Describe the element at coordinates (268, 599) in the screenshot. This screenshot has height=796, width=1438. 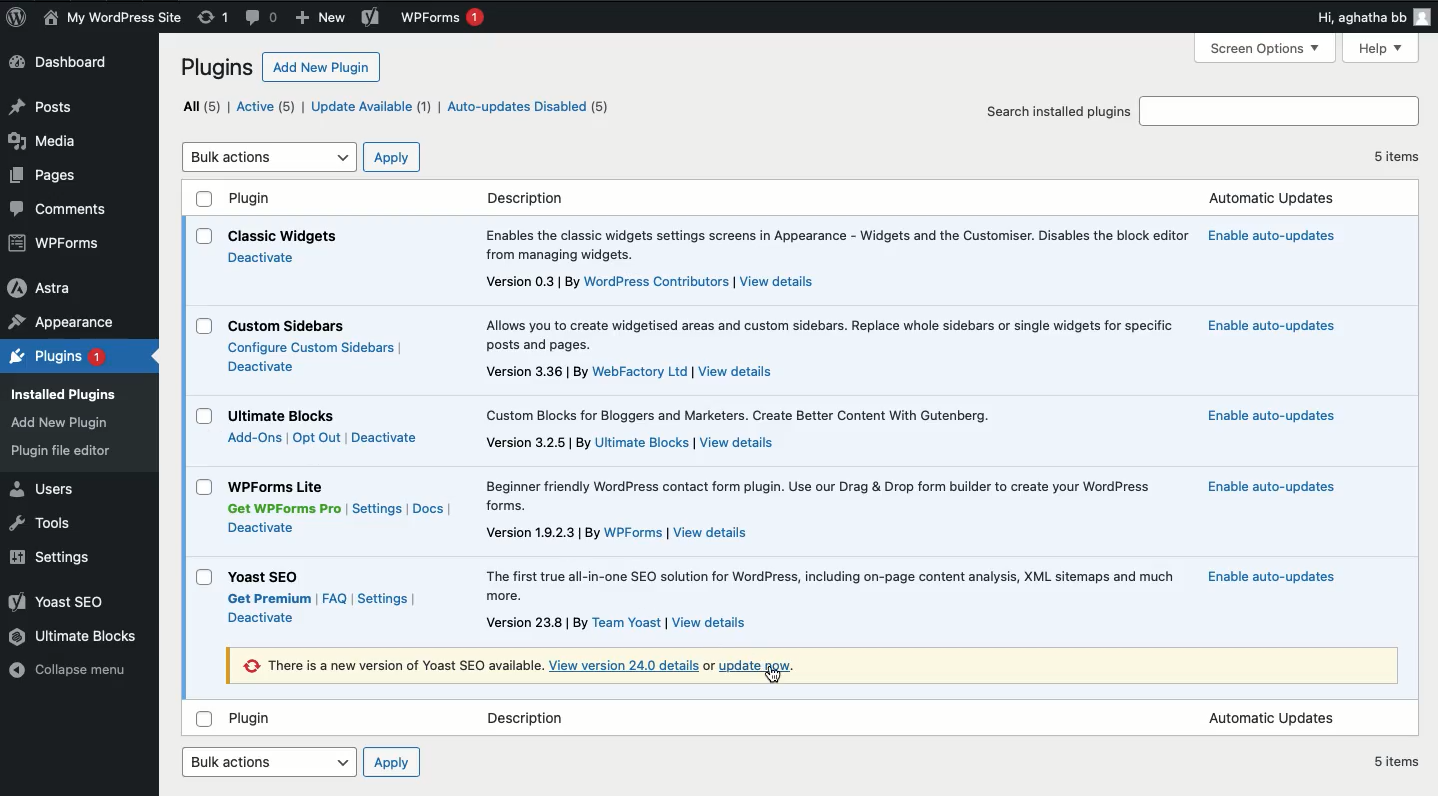
I see `Get premium` at that location.